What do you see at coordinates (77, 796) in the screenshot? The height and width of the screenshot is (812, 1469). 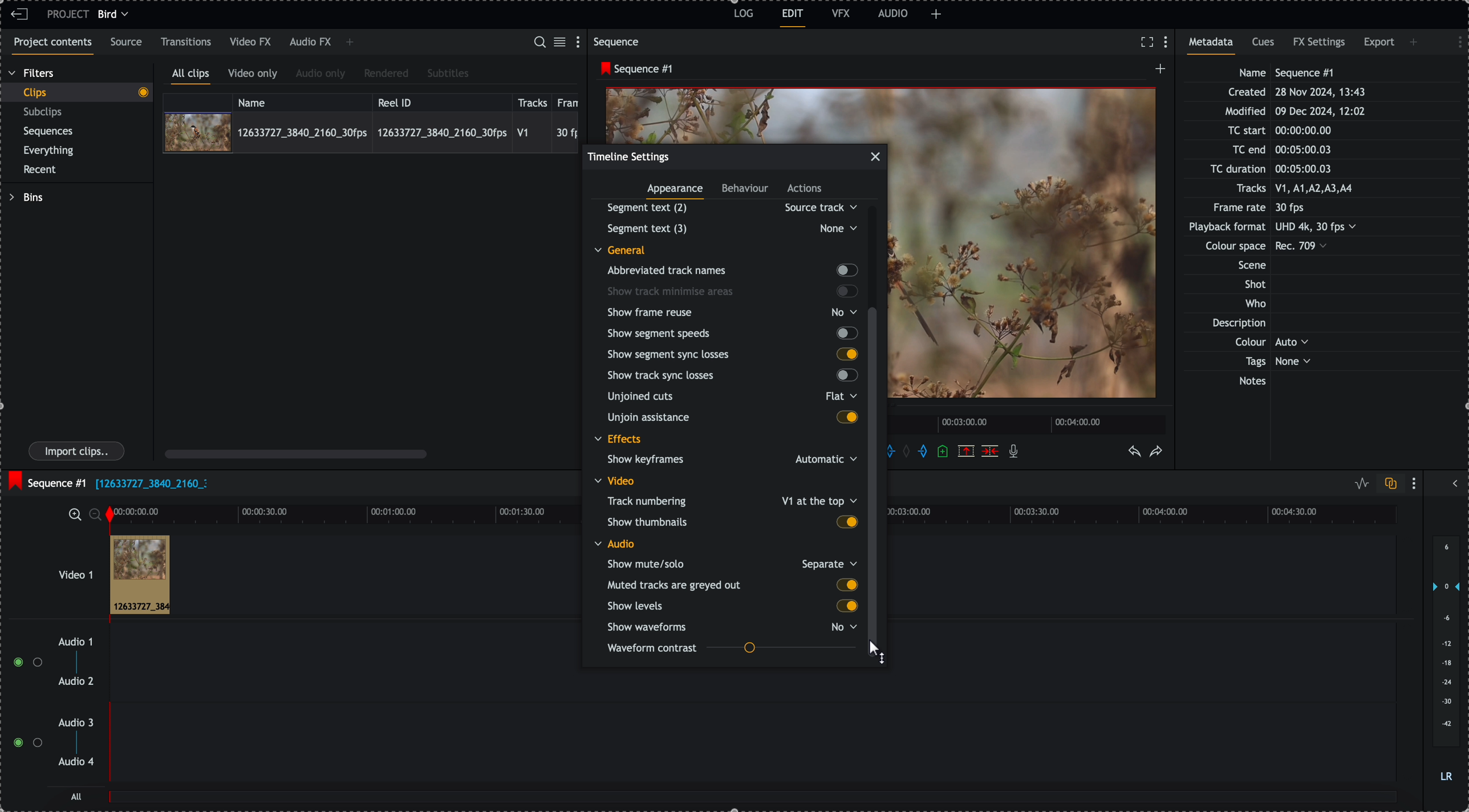 I see `all` at bounding box center [77, 796].